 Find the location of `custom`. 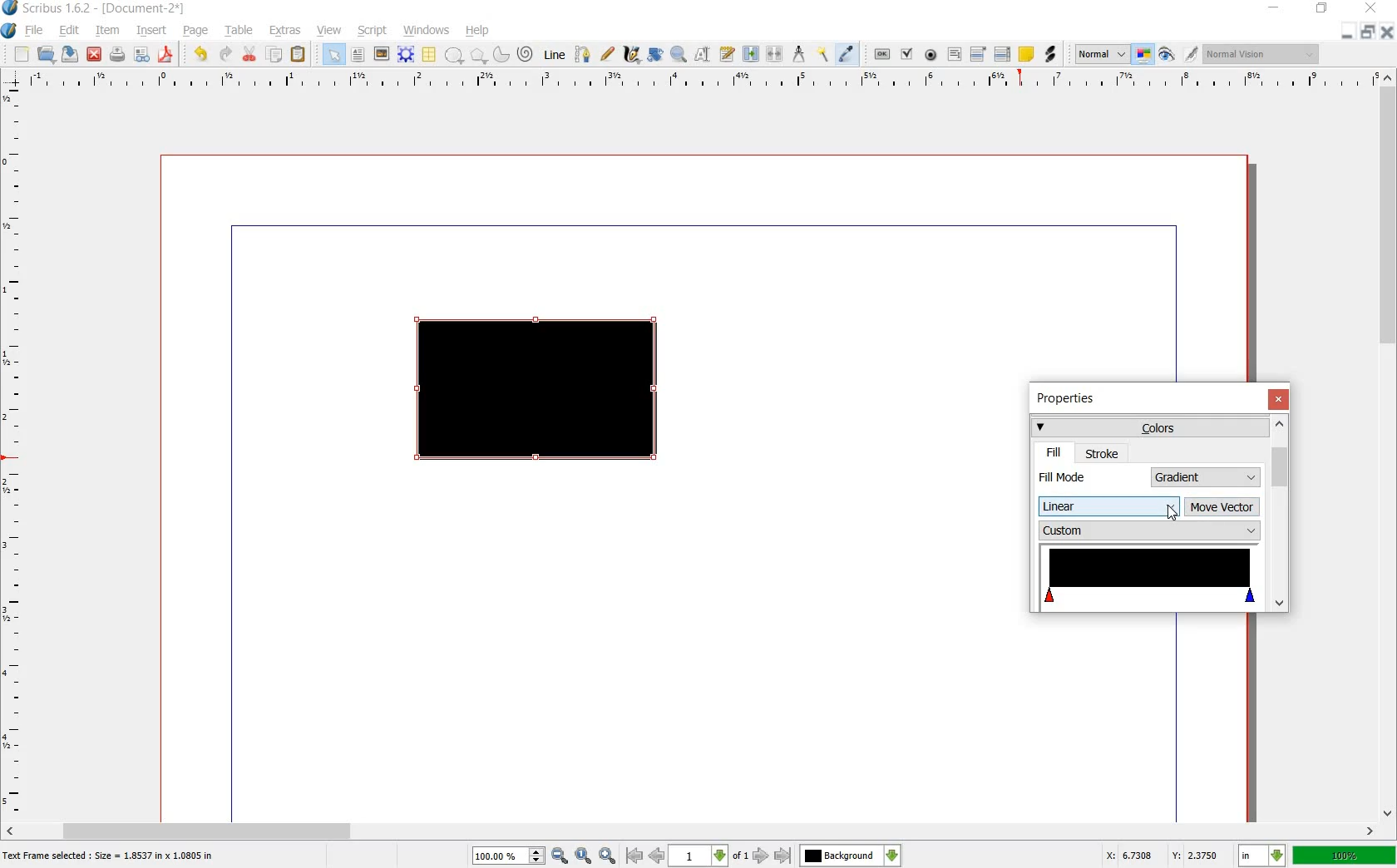

custom is located at coordinates (1148, 530).